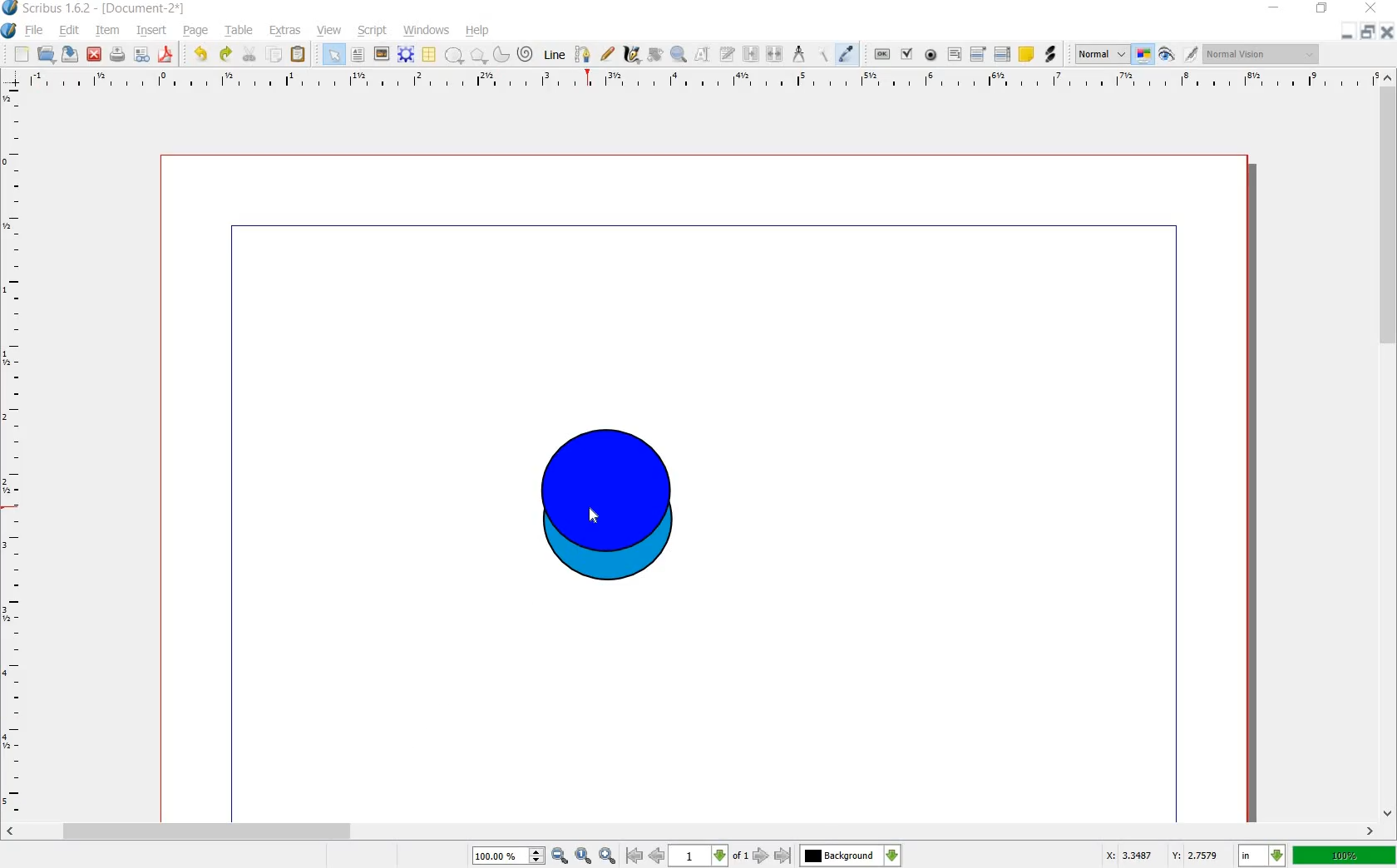  I want to click on scroll bar, so click(690, 830).